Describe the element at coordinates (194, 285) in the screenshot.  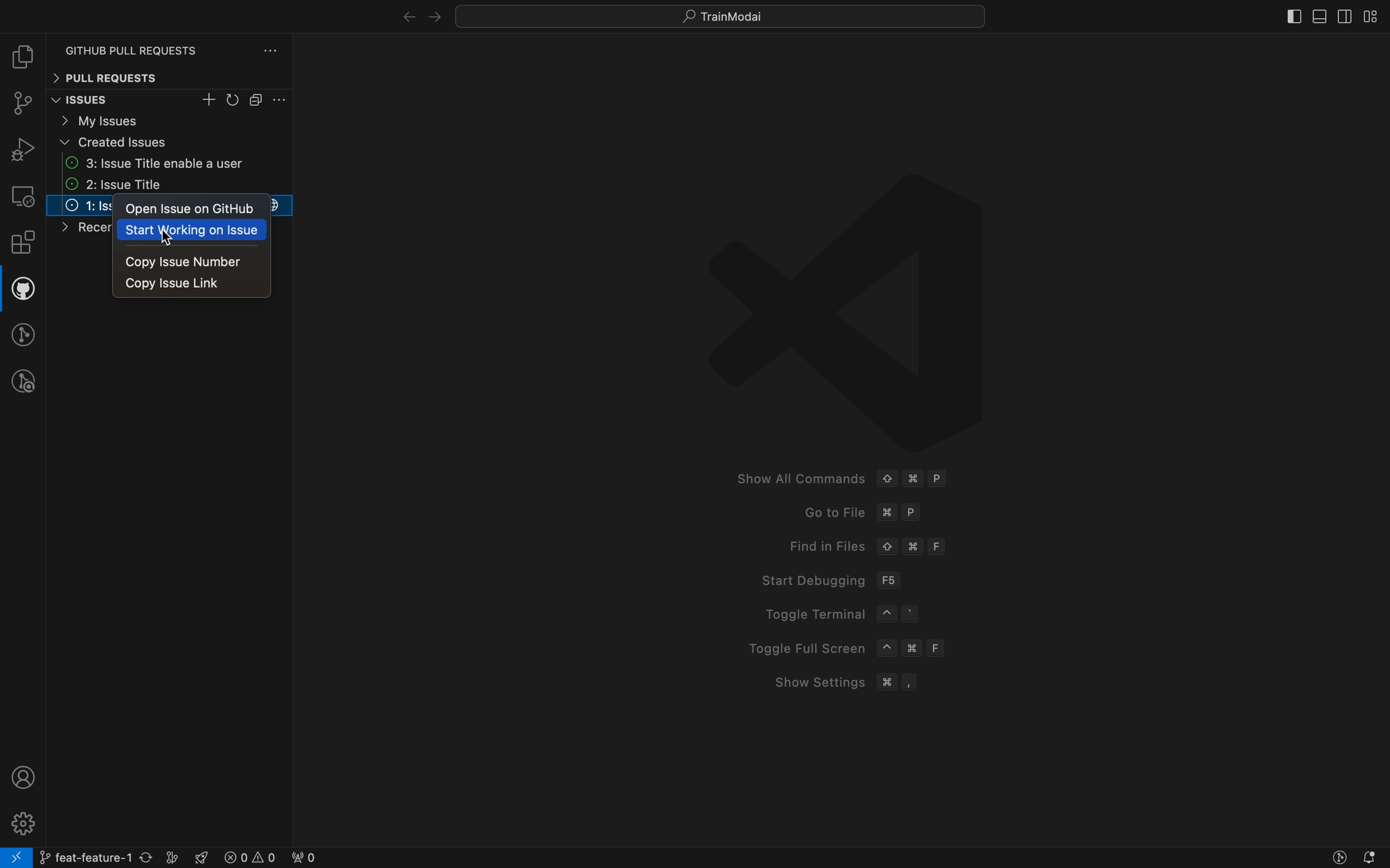
I see `copy link` at that location.